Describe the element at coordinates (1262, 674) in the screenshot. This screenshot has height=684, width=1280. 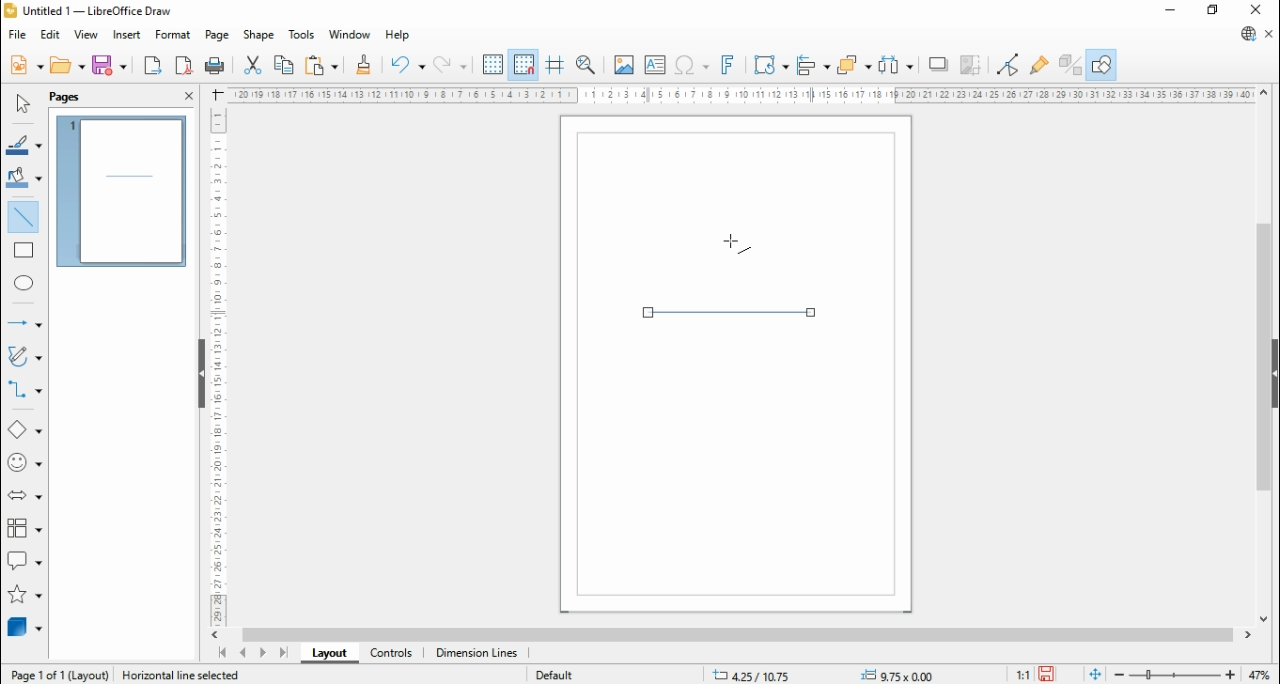
I see `zoom factor` at that location.